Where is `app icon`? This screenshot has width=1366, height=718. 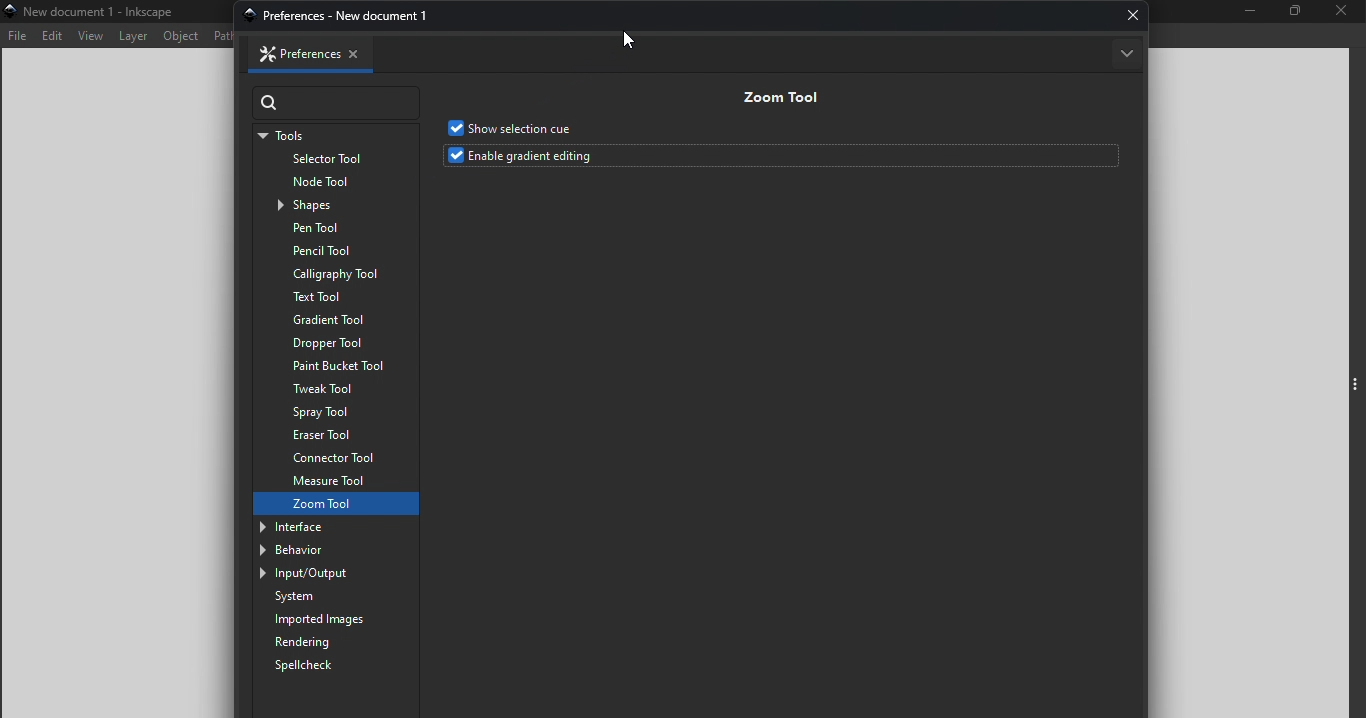 app icon is located at coordinates (10, 11).